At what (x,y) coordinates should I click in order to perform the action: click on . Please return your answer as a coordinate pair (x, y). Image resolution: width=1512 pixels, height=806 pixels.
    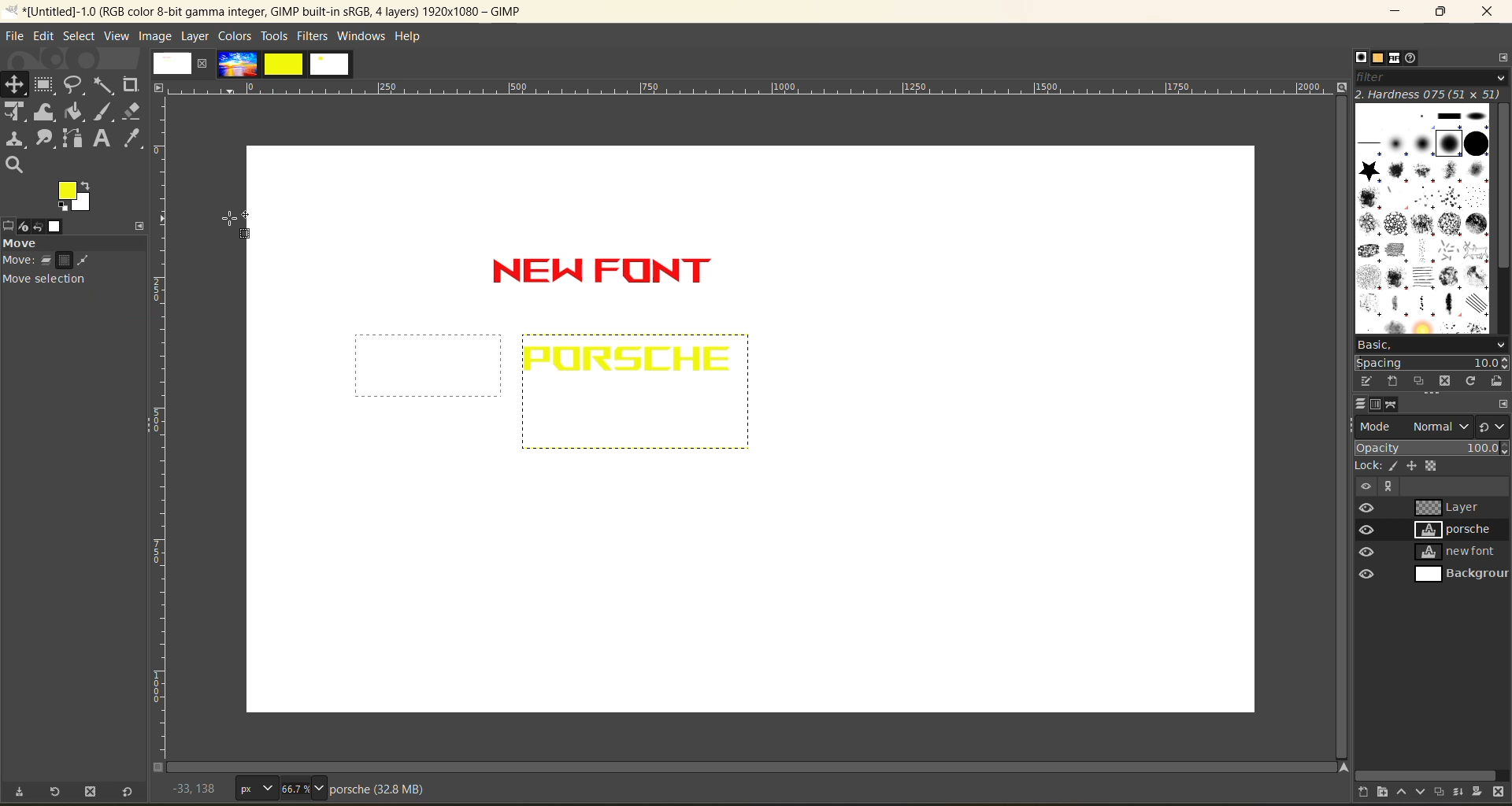
    Looking at the image, I should click on (1387, 487).